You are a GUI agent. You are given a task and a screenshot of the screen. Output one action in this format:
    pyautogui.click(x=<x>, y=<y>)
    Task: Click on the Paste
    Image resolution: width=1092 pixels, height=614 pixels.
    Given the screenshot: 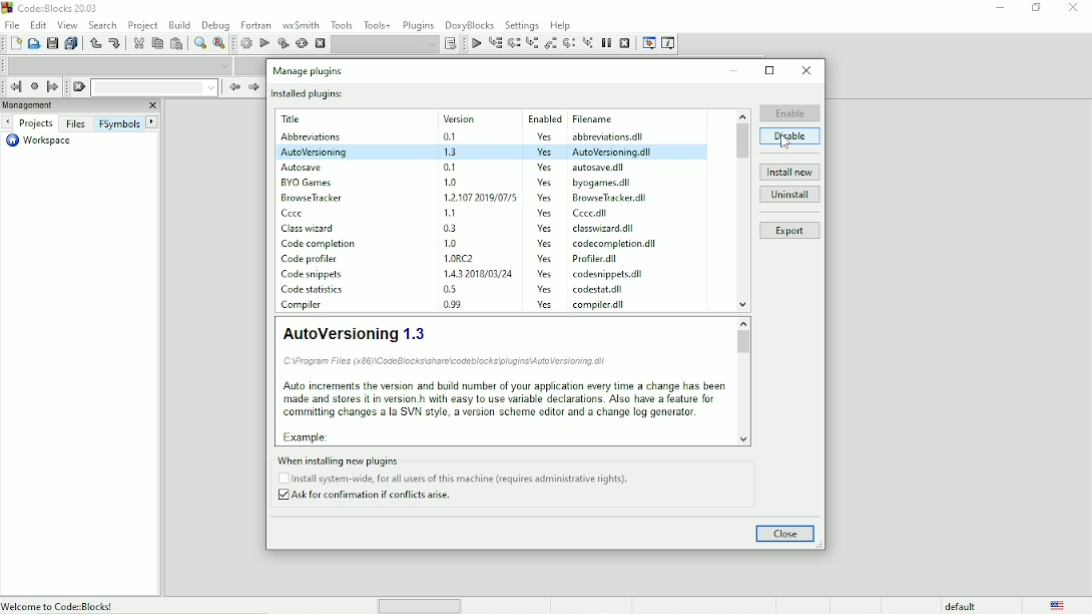 What is the action you would take?
    pyautogui.click(x=178, y=44)
    